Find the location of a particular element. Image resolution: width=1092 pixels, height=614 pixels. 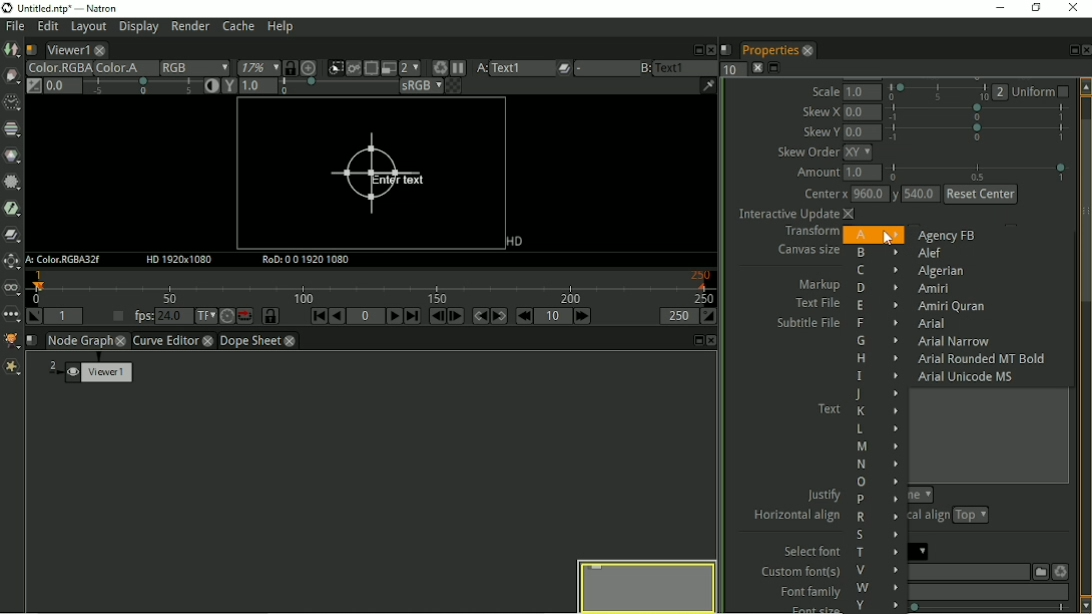

Color.RGBA is located at coordinates (57, 68).